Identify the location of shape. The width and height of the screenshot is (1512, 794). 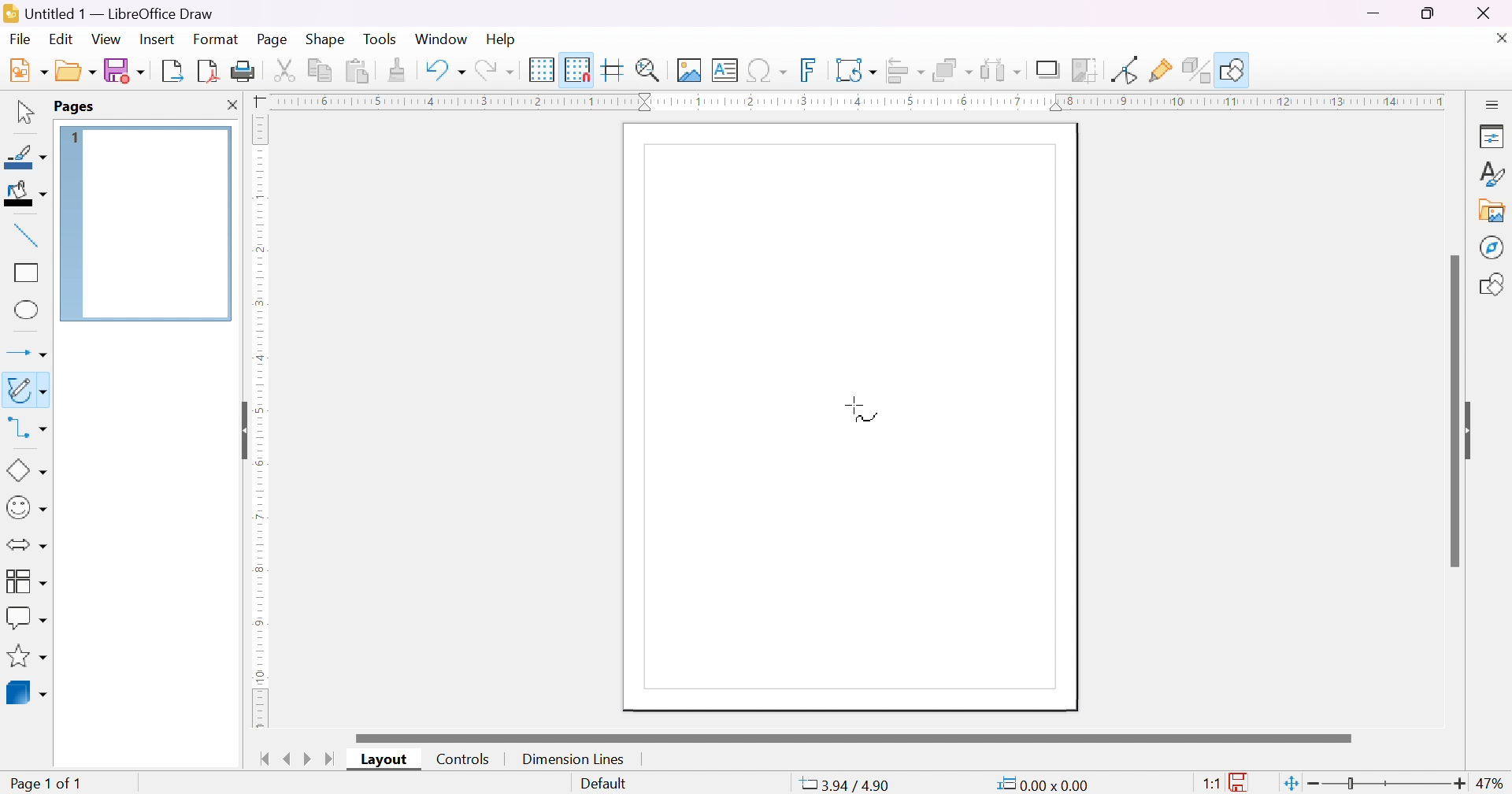
(325, 37).